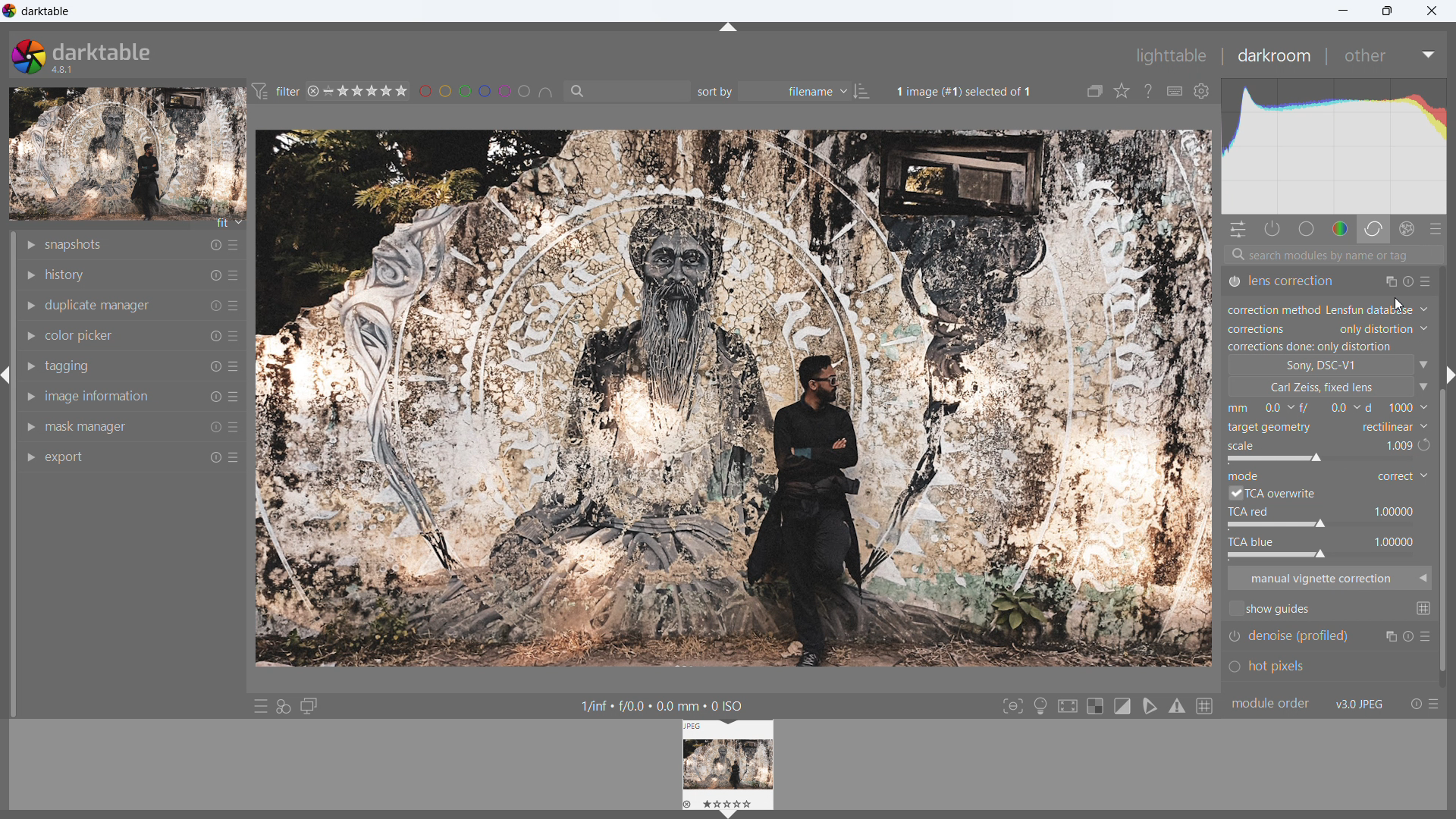 This screenshot has width=1456, height=819. Describe the element at coordinates (730, 27) in the screenshot. I see `hide panel` at that location.